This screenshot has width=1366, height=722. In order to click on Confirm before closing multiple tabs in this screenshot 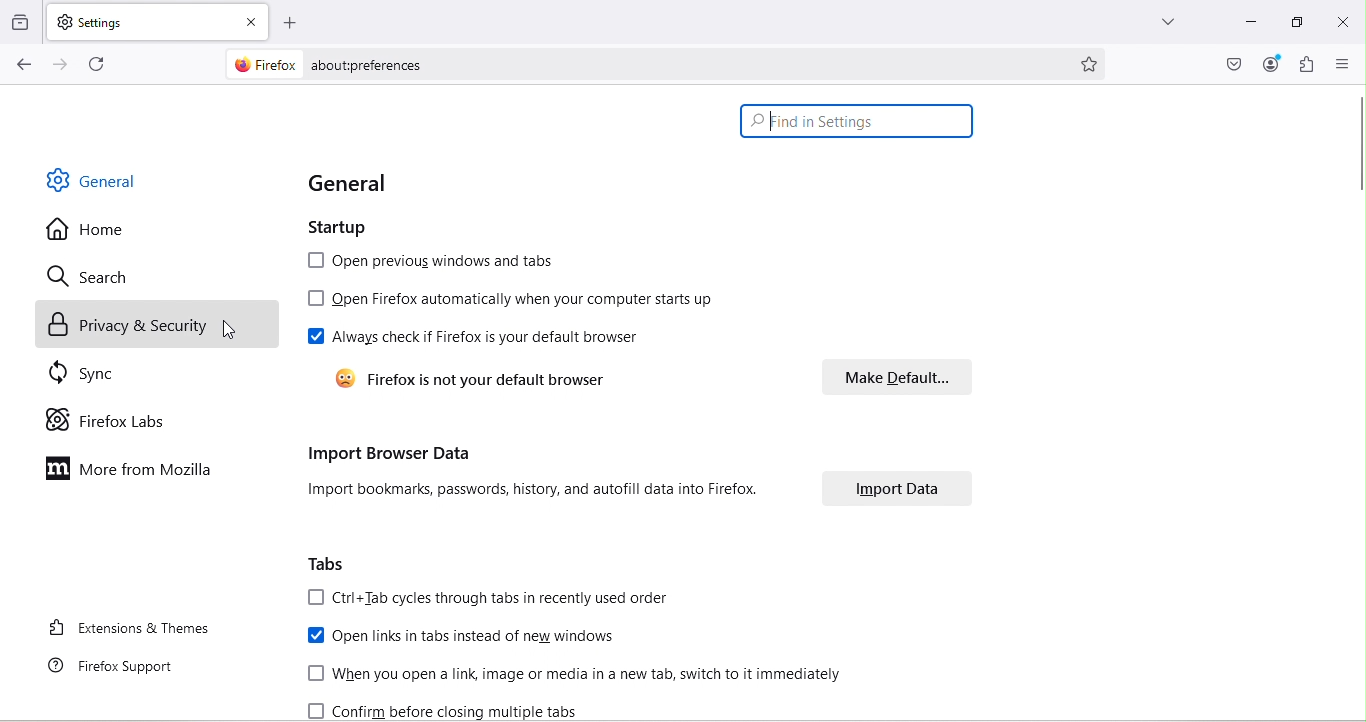, I will do `click(454, 708)`.